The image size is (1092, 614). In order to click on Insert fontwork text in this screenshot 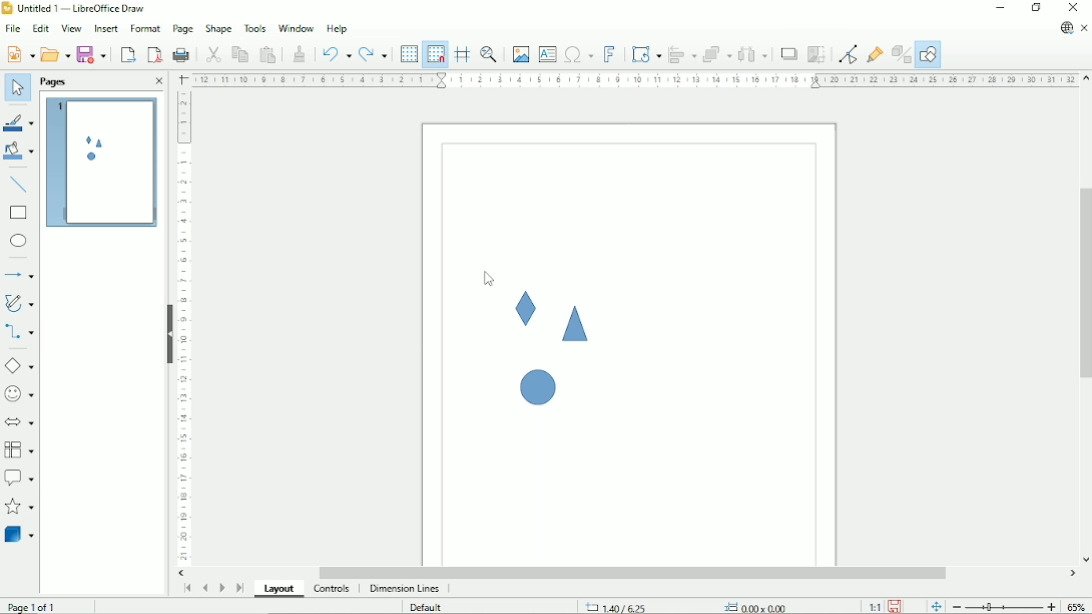, I will do `click(609, 54)`.